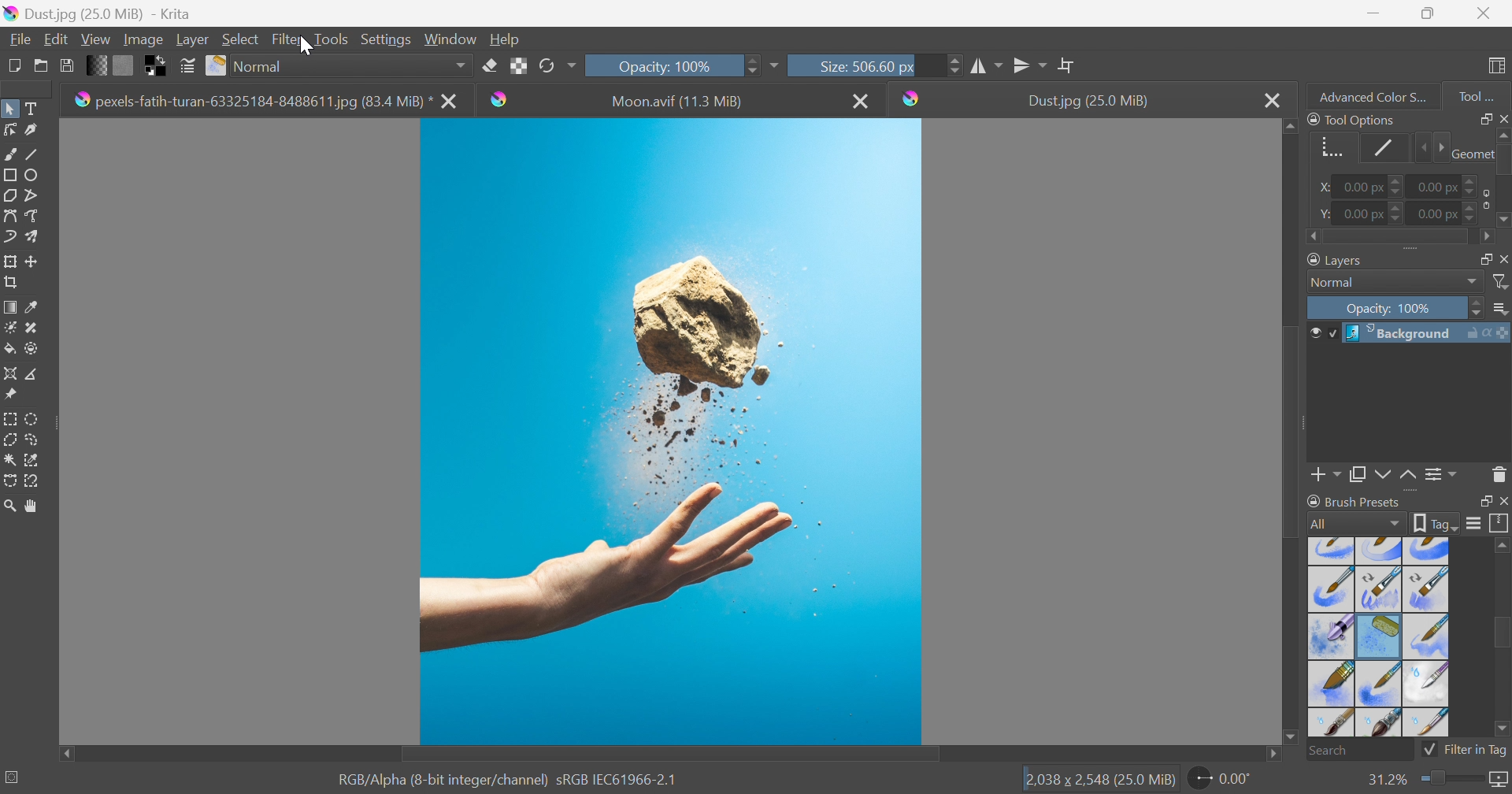 The image size is (1512, 794). I want to click on Set eraser mode, so click(489, 64).